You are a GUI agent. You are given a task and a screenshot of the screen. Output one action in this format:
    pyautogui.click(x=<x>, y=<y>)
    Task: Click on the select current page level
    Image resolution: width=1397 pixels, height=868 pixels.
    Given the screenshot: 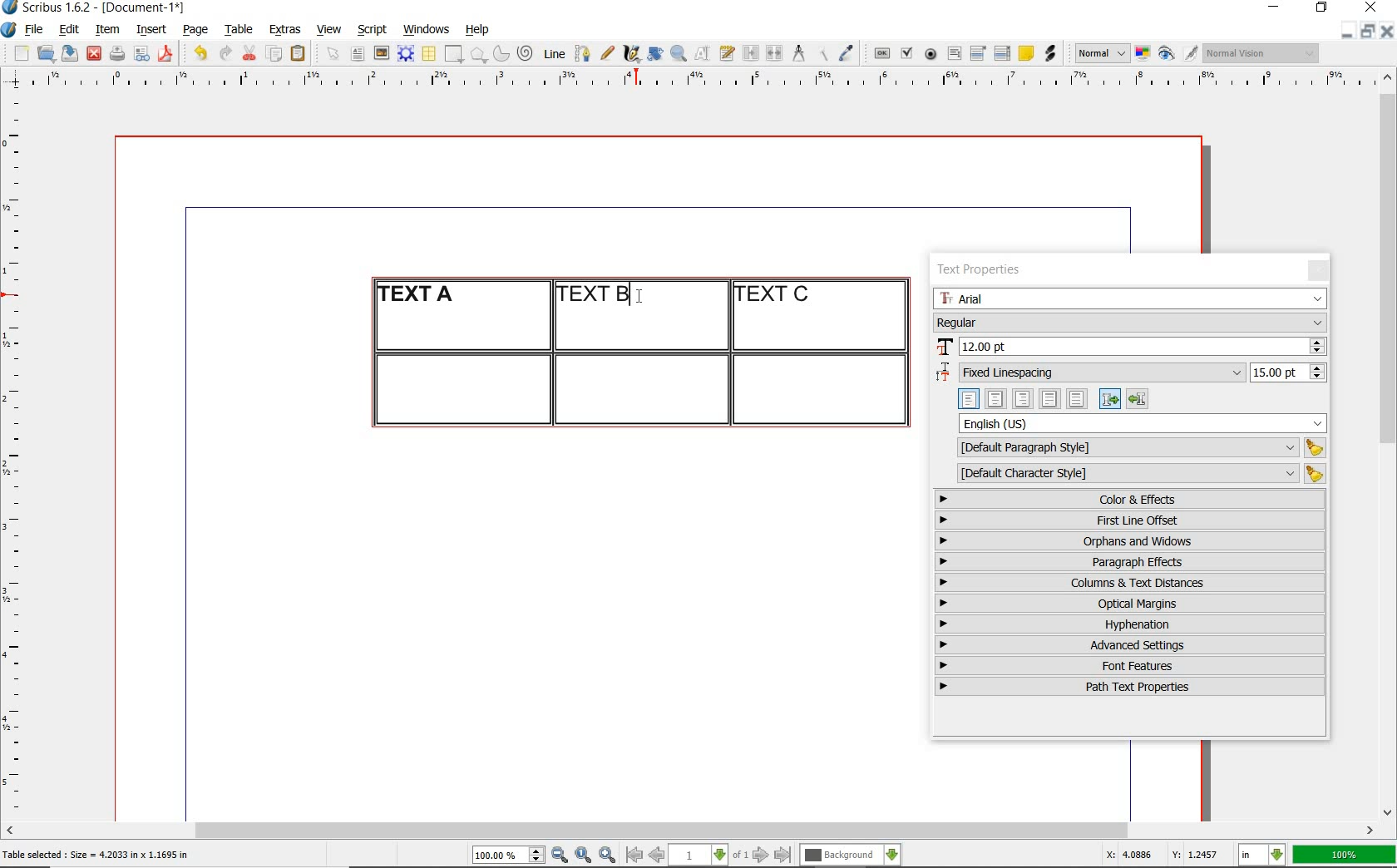 What is the action you would take?
    pyautogui.click(x=708, y=855)
    